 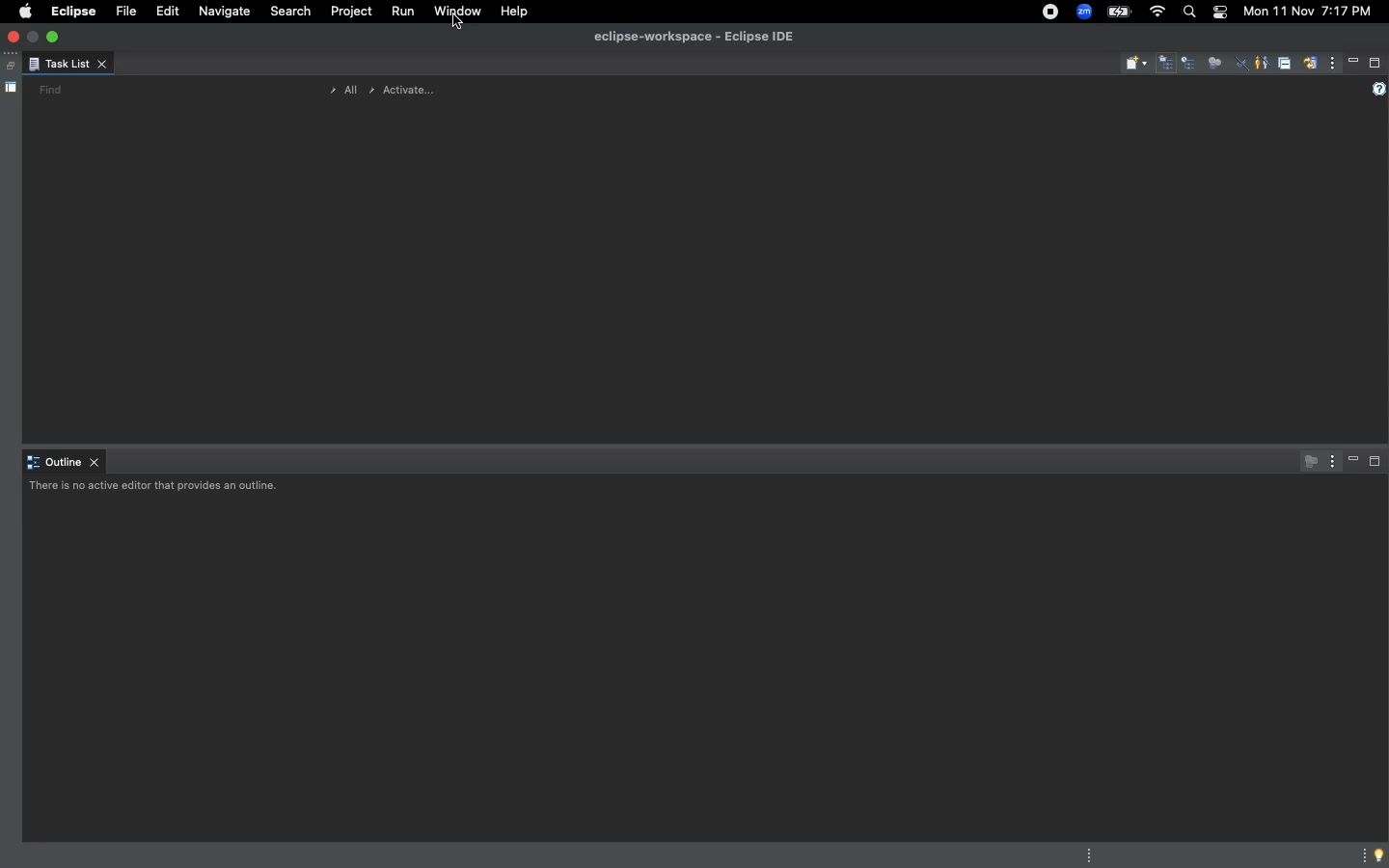 I want to click on Zoom, so click(x=1084, y=12).